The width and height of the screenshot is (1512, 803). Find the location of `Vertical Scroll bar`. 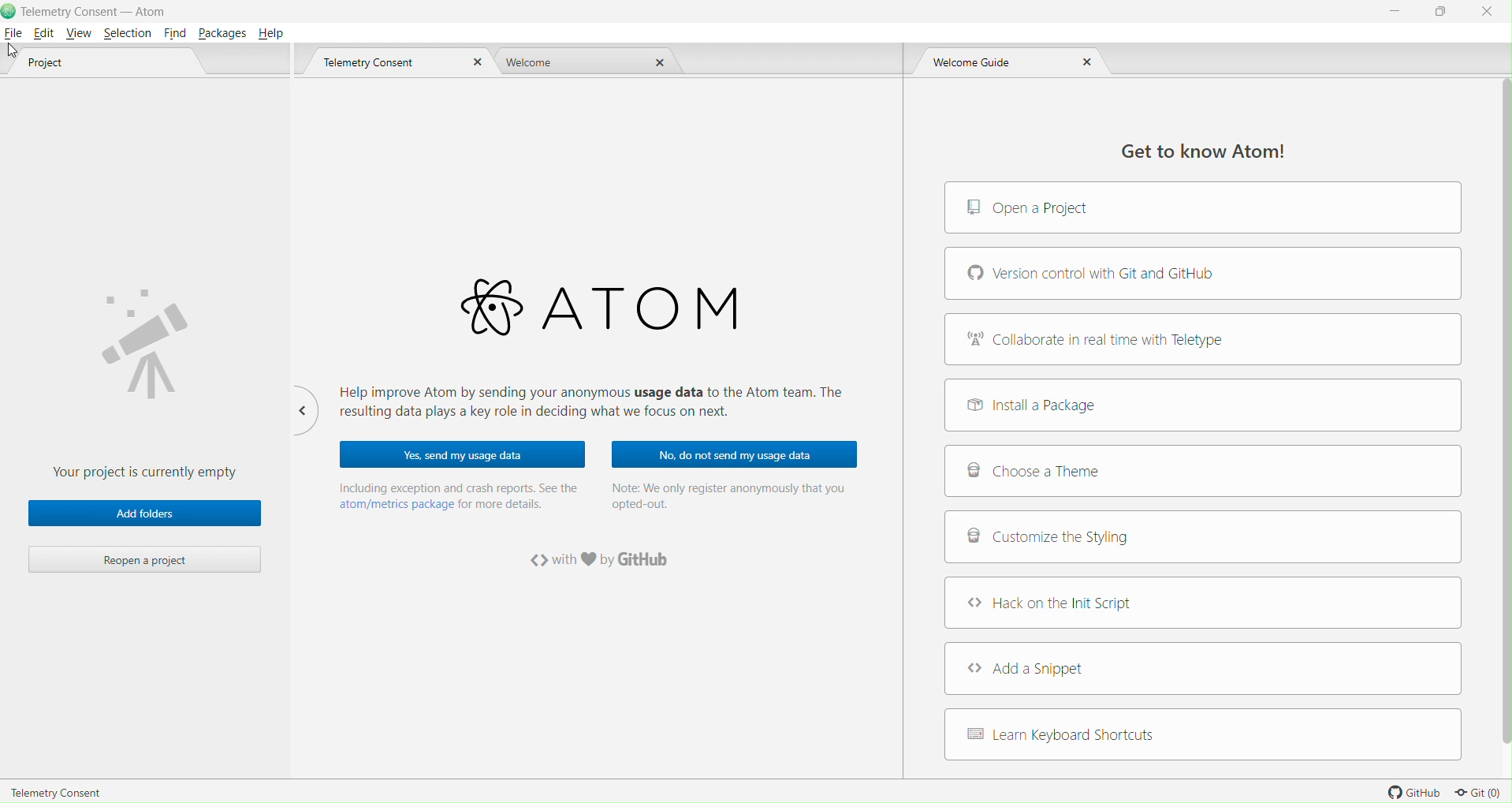

Vertical Scroll bar is located at coordinates (1499, 413).